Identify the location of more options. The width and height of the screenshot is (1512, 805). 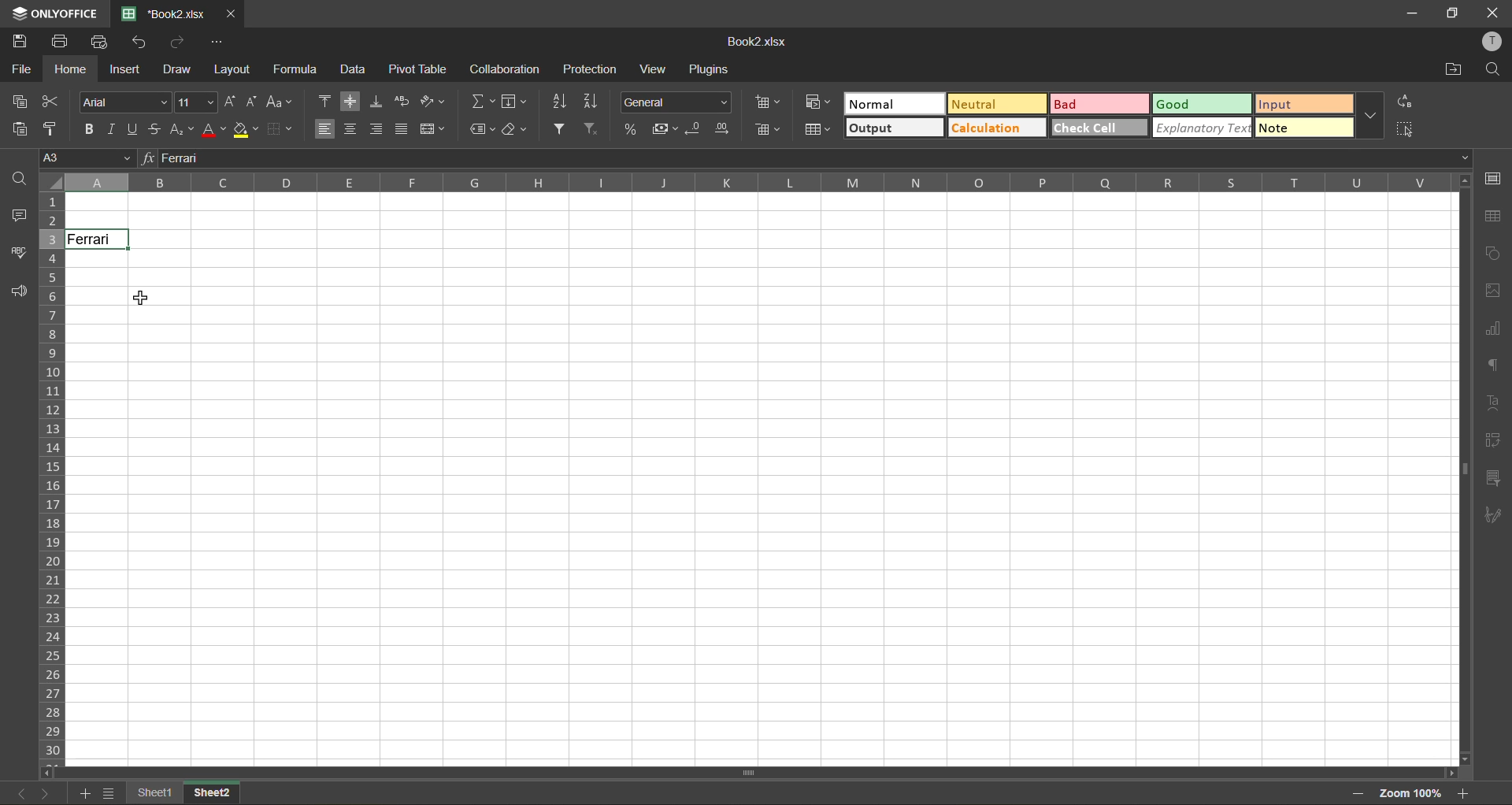
(1371, 114).